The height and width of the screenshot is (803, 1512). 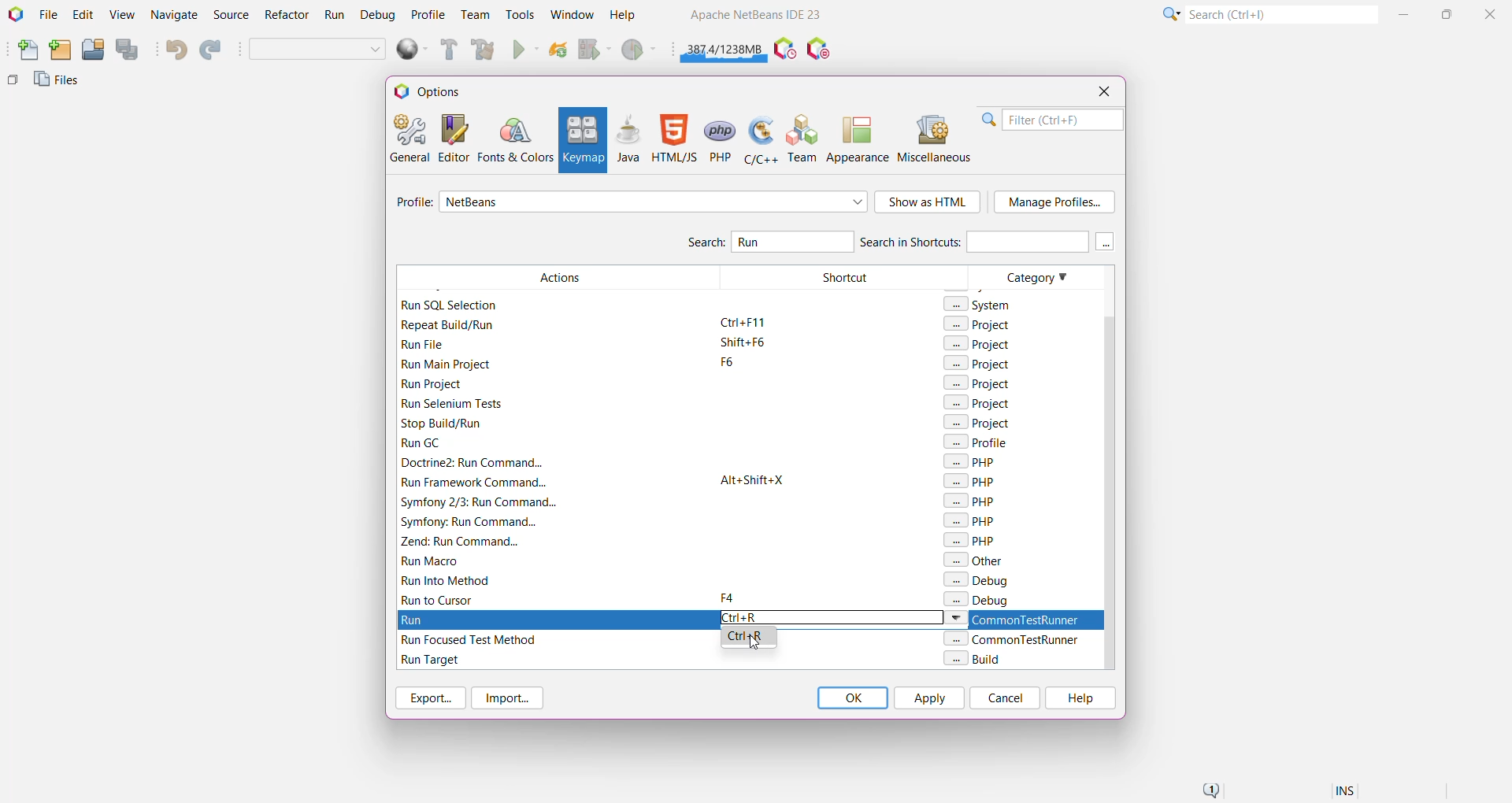 I want to click on Vertical Scroll Bar, so click(x=1106, y=467).